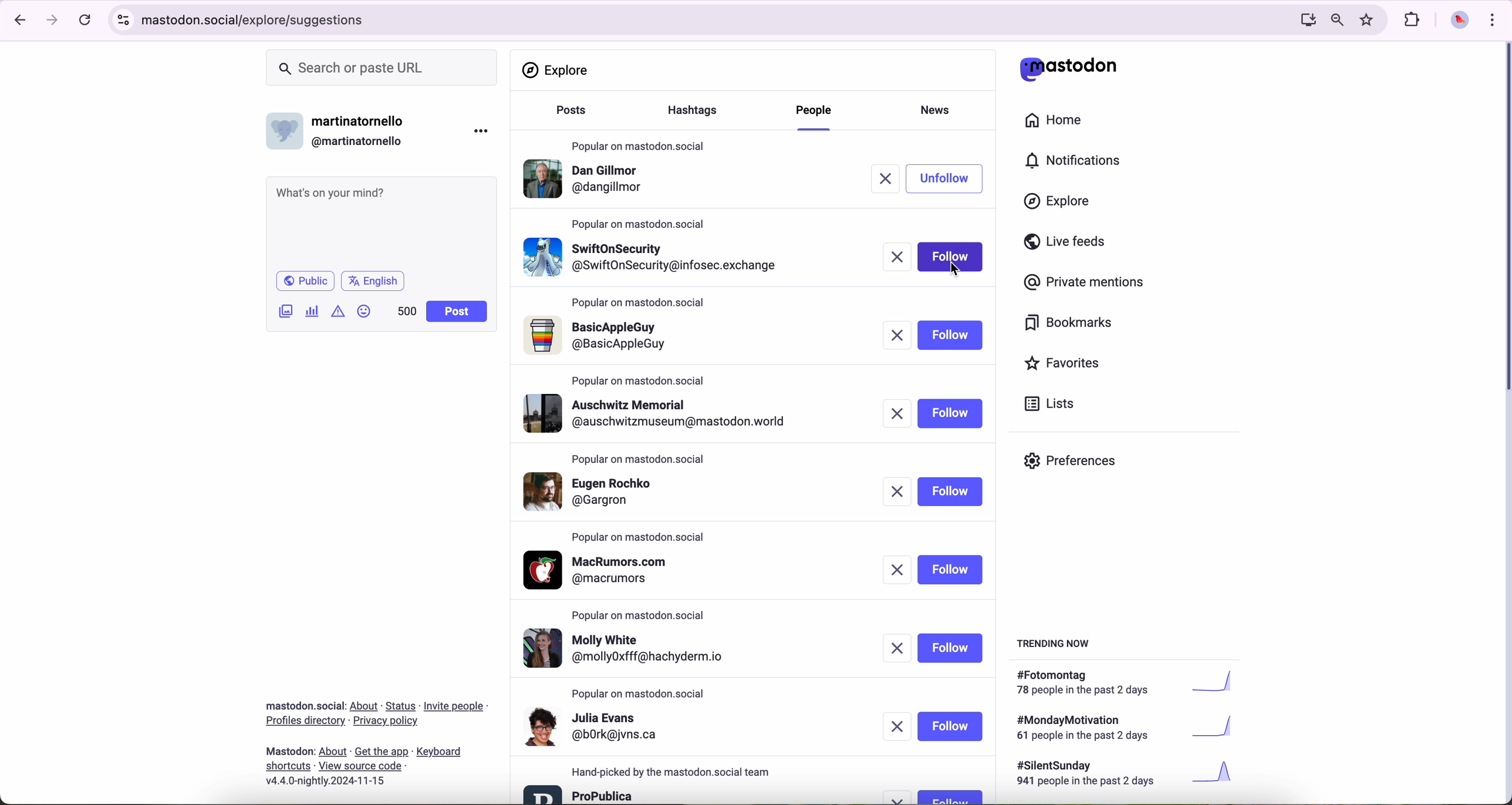 This screenshot has width=1512, height=805. What do you see at coordinates (897, 570) in the screenshot?
I see `remove` at bounding box center [897, 570].